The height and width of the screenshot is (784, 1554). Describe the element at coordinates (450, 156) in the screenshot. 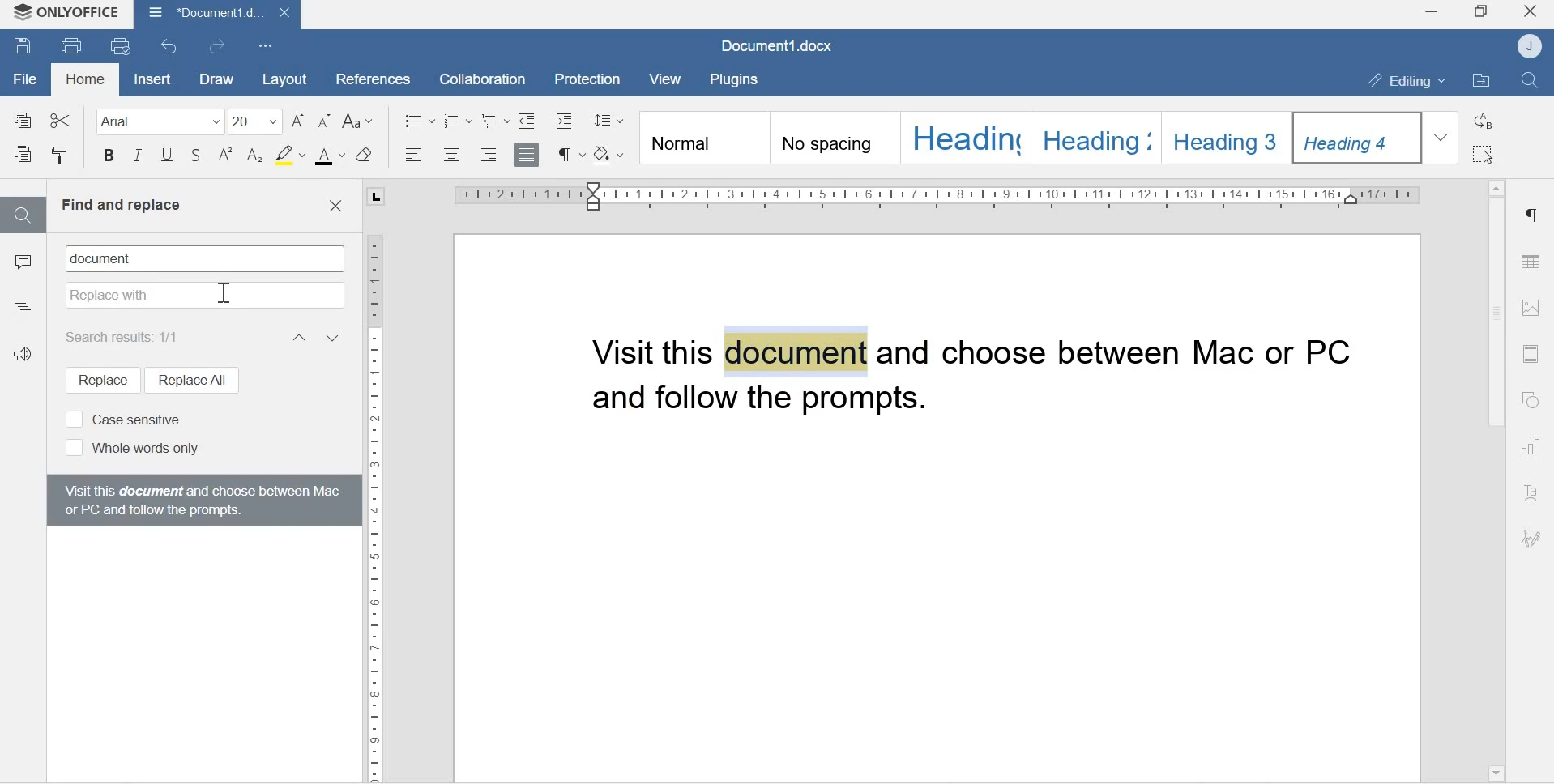

I see `Align center` at that location.